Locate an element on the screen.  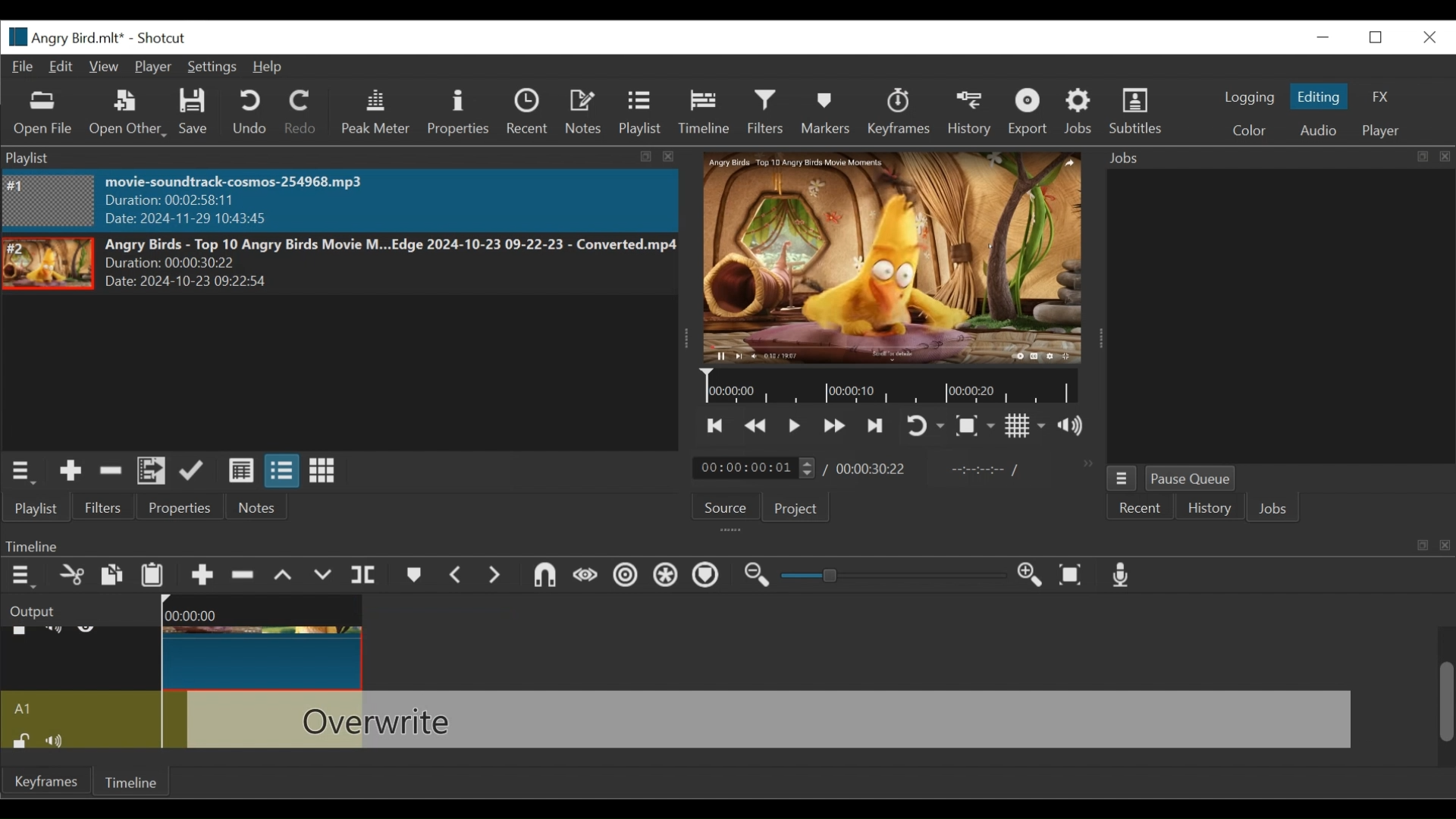
Keyframes is located at coordinates (897, 111).